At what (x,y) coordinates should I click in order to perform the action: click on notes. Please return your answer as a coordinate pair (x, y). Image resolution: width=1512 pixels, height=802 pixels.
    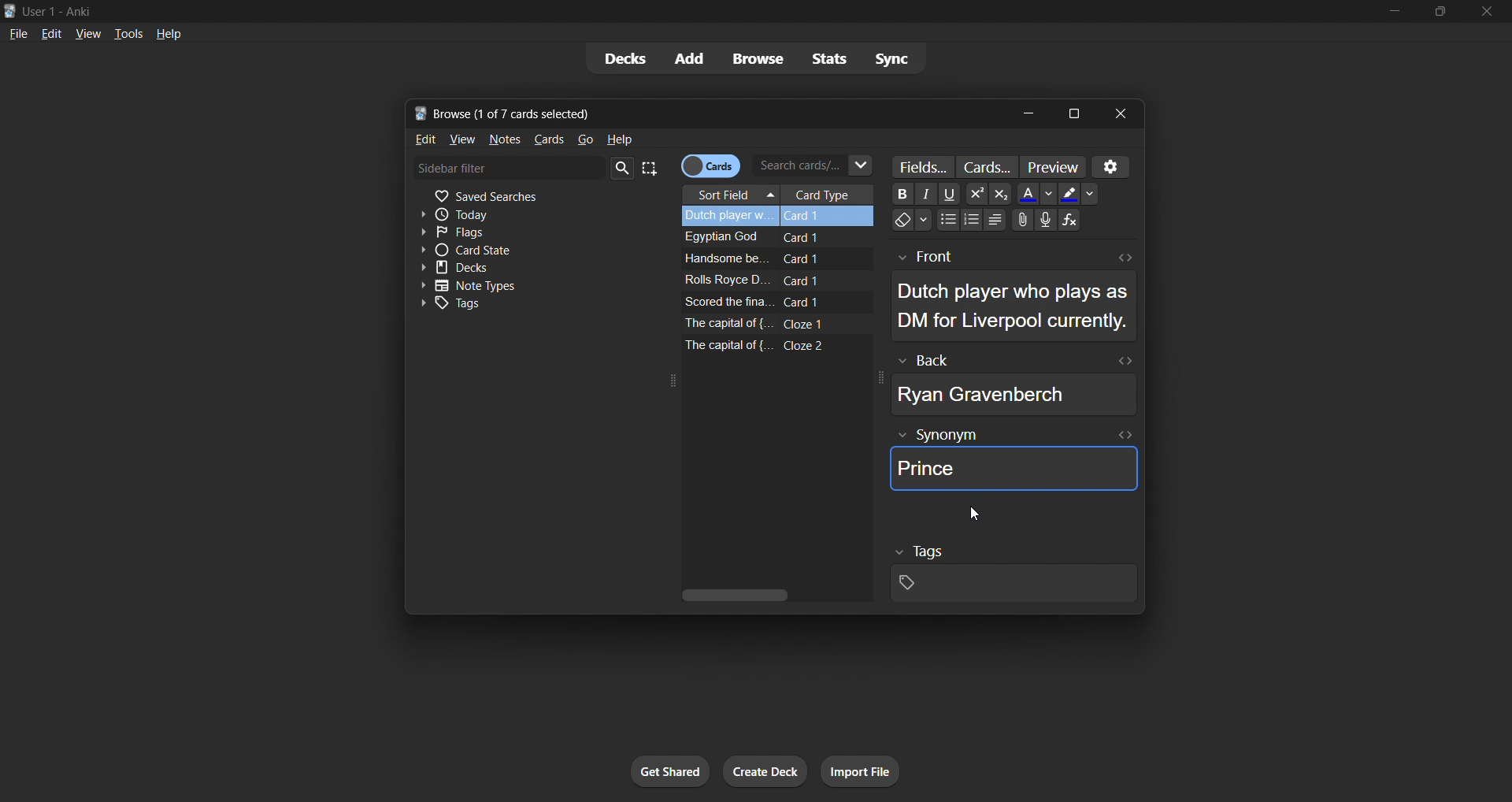
    Looking at the image, I should click on (505, 141).